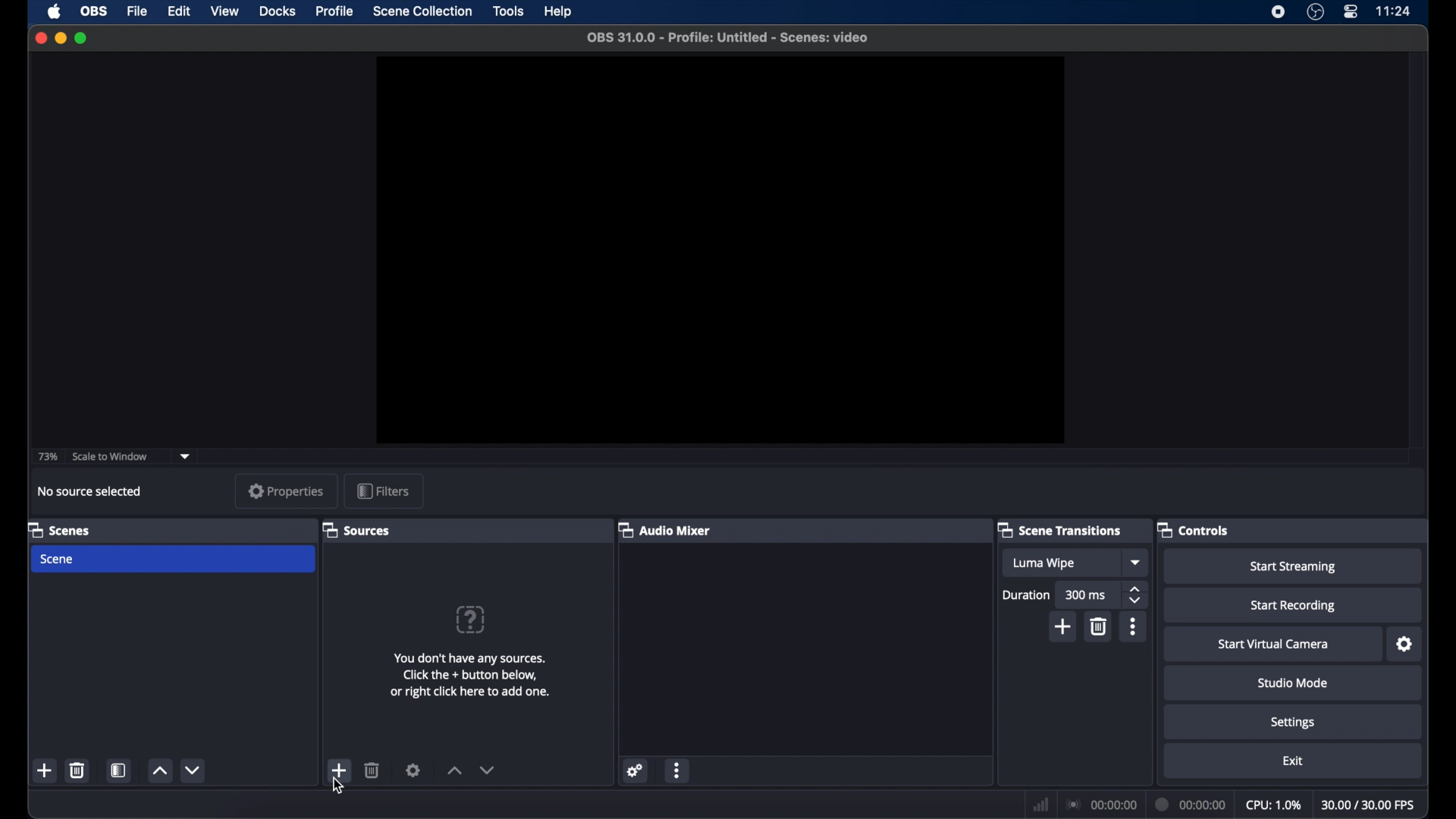 Image resolution: width=1456 pixels, height=819 pixels. What do you see at coordinates (1134, 626) in the screenshot?
I see `more options` at bounding box center [1134, 626].